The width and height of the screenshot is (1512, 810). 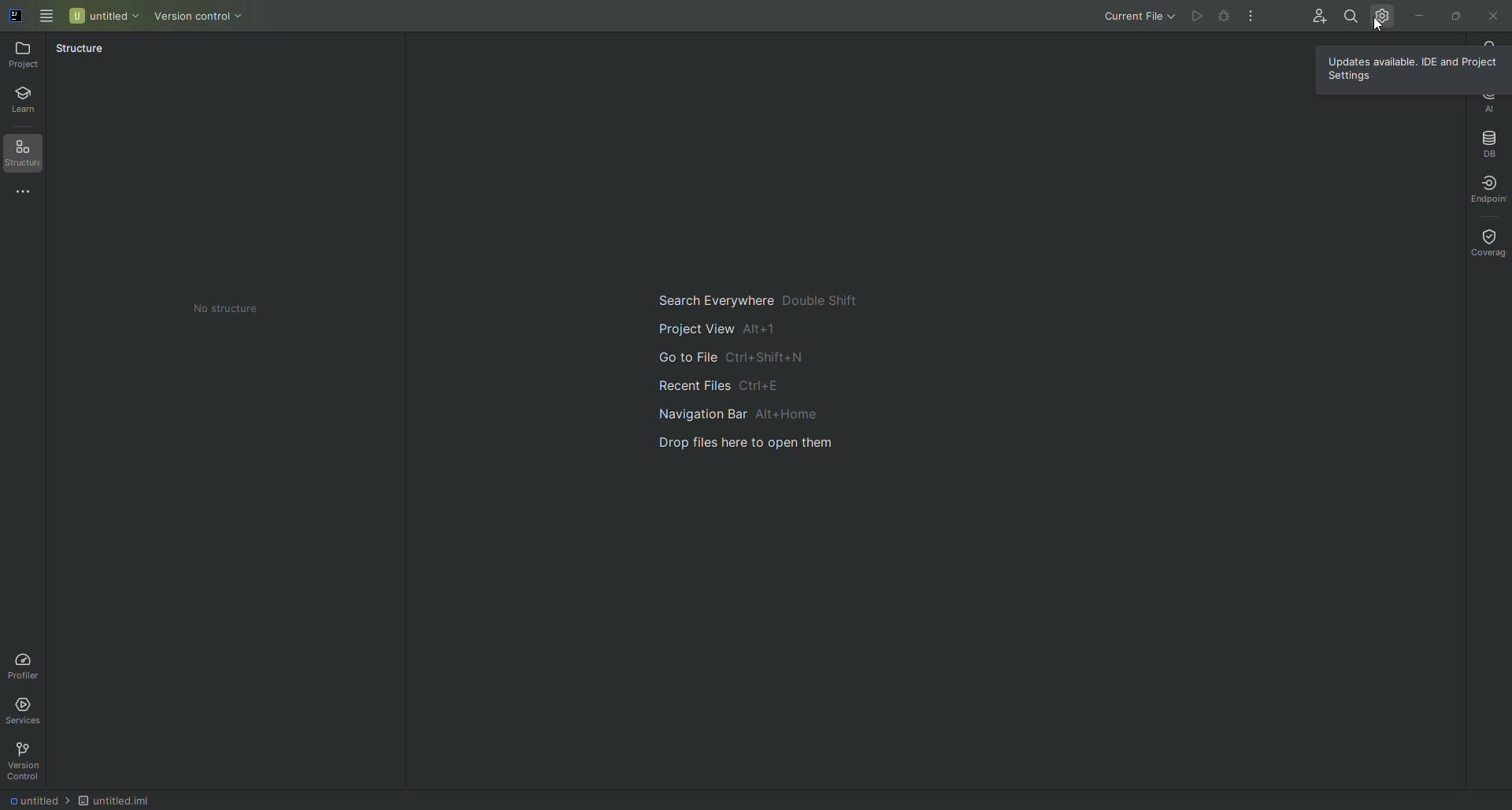 What do you see at coordinates (105, 15) in the screenshot?
I see `Untitled` at bounding box center [105, 15].